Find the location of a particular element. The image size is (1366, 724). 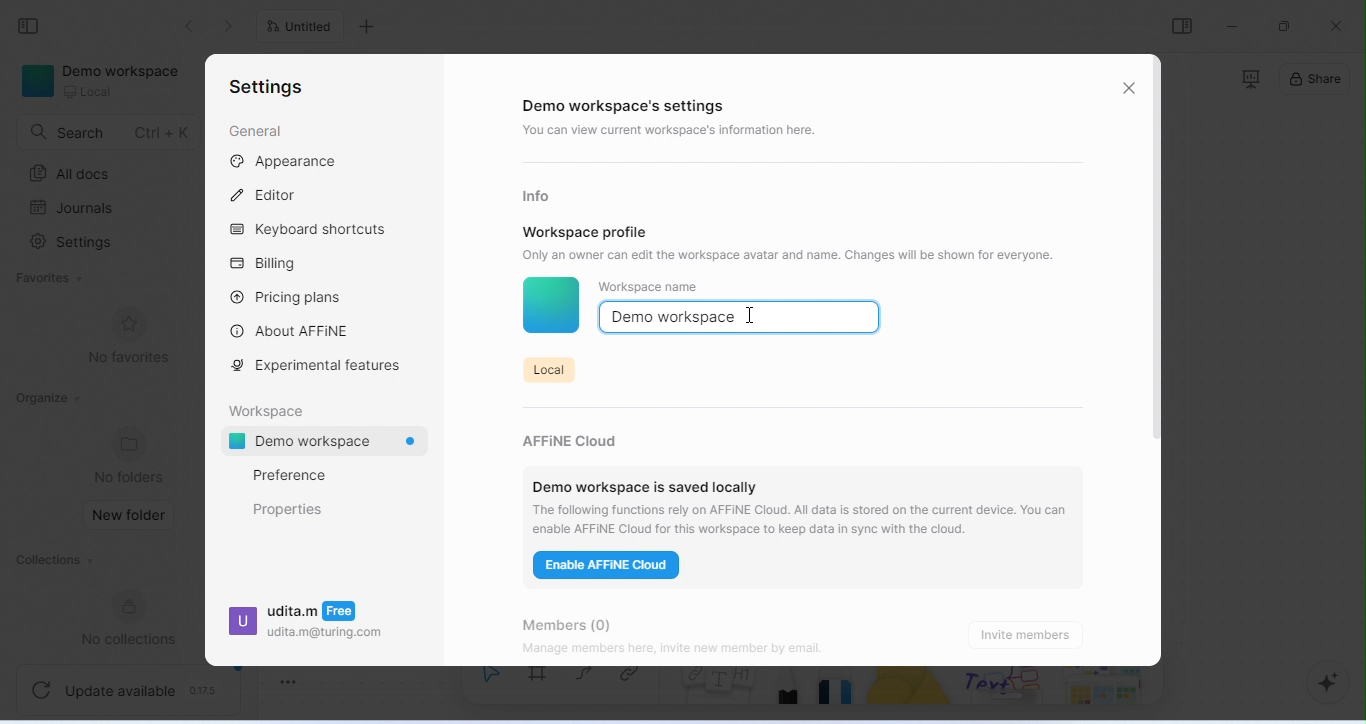

you can view current workspace's information here is located at coordinates (674, 132).